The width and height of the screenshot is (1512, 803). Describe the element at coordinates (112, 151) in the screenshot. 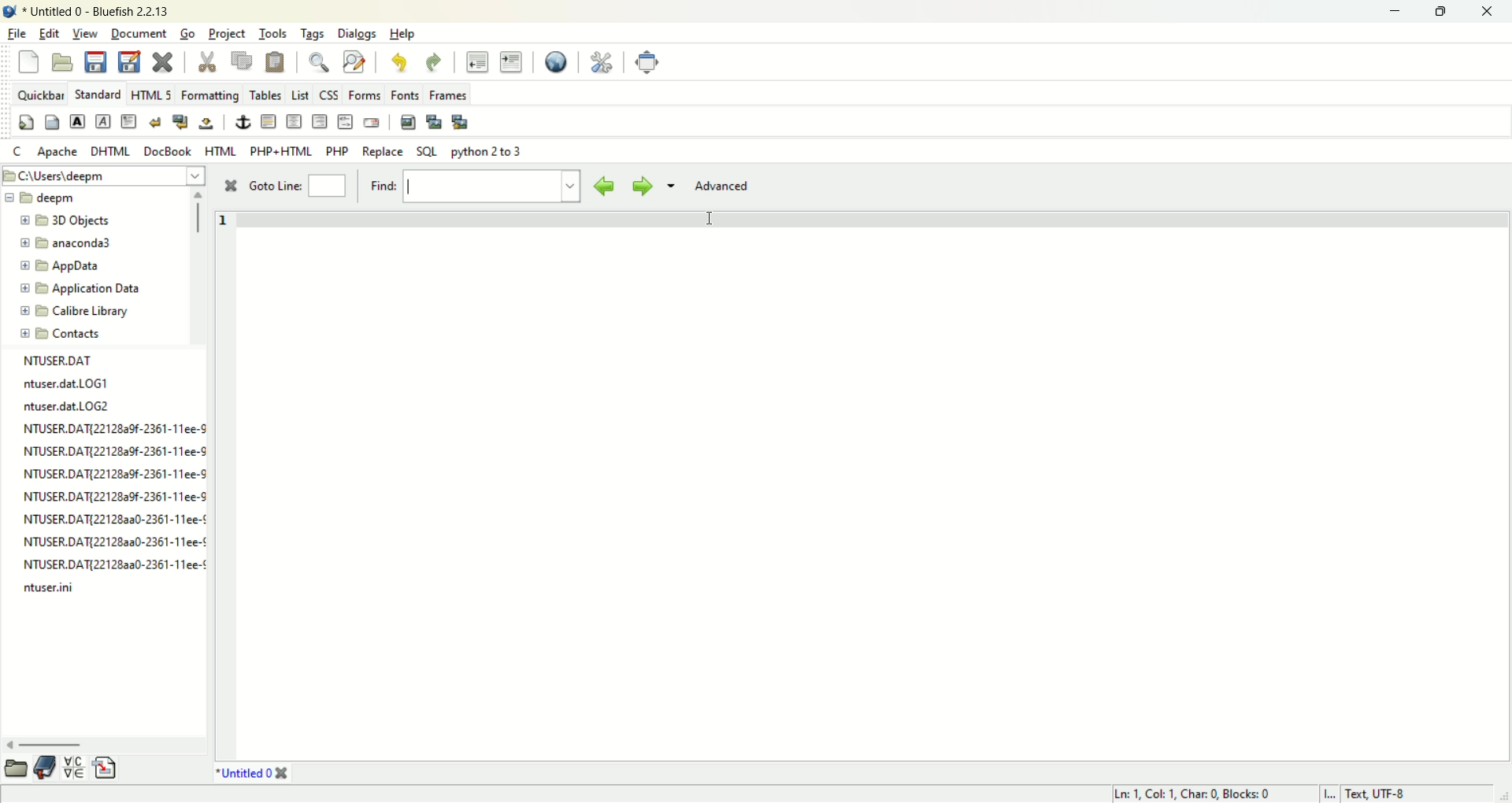

I see `DHTML` at that location.